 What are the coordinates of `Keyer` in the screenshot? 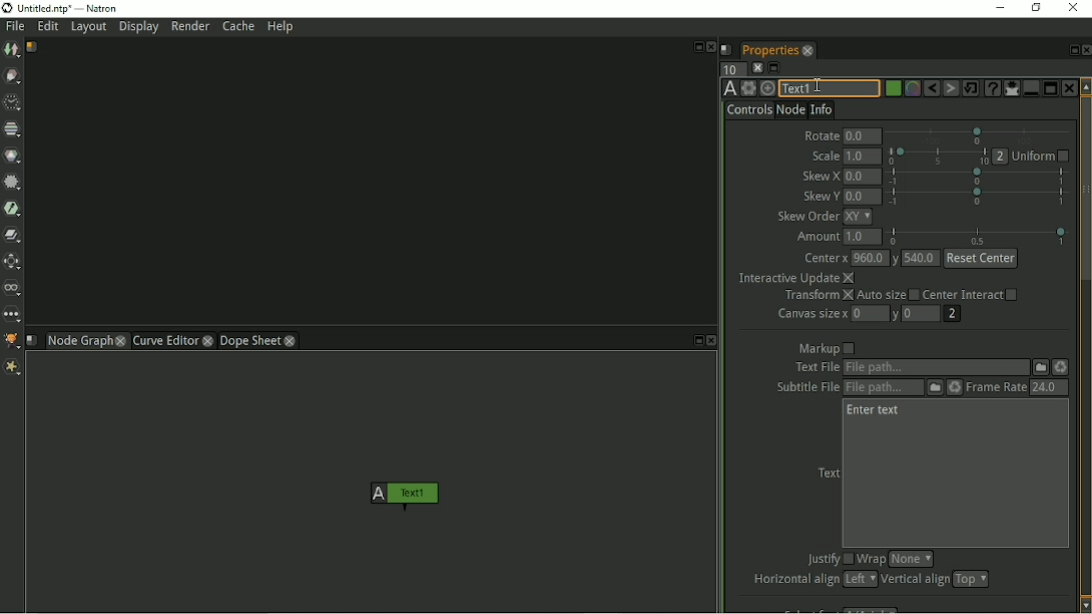 It's located at (14, 209).